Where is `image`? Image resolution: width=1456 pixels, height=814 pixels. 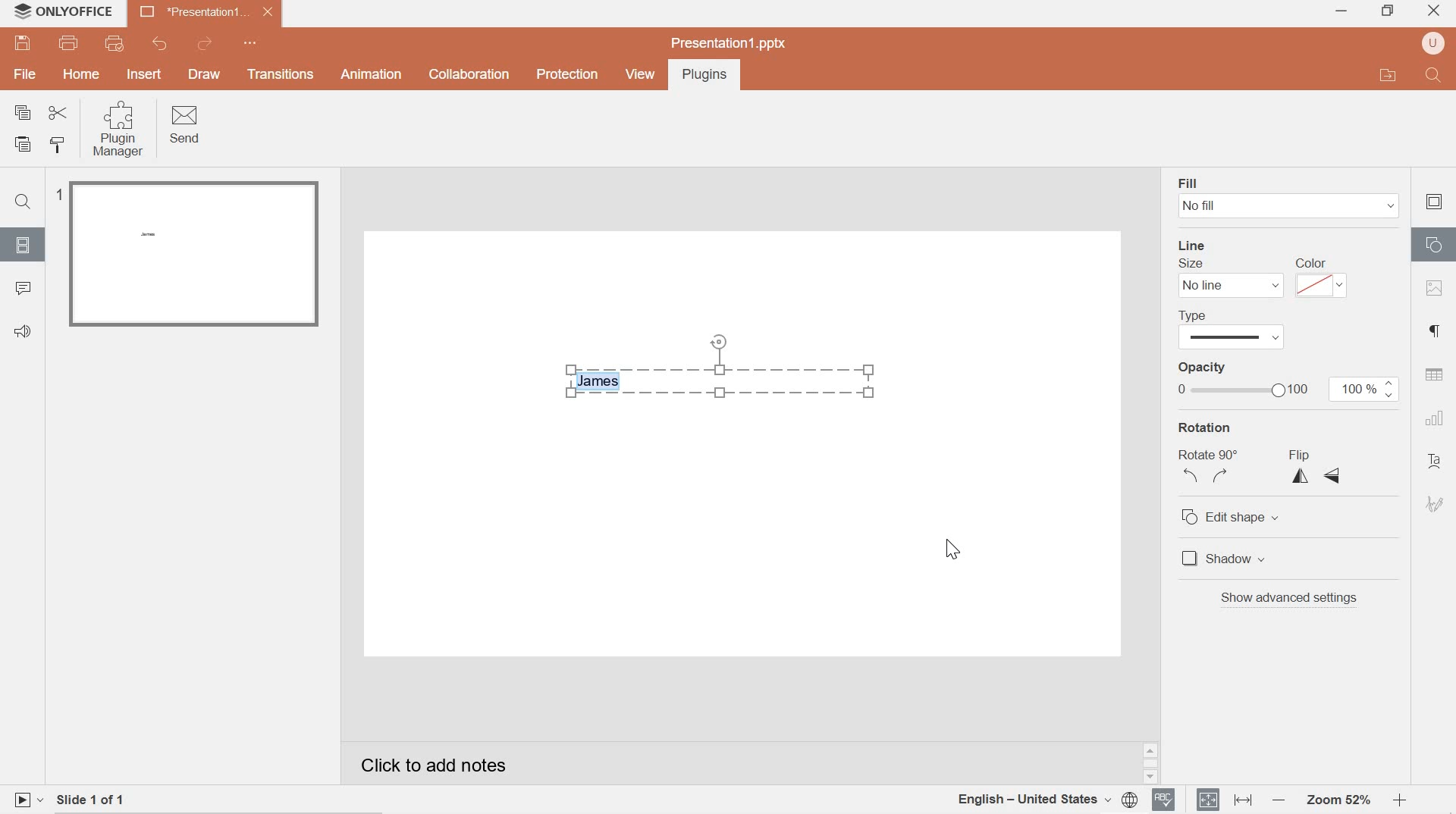 image is located at coordinates (1436, 290).